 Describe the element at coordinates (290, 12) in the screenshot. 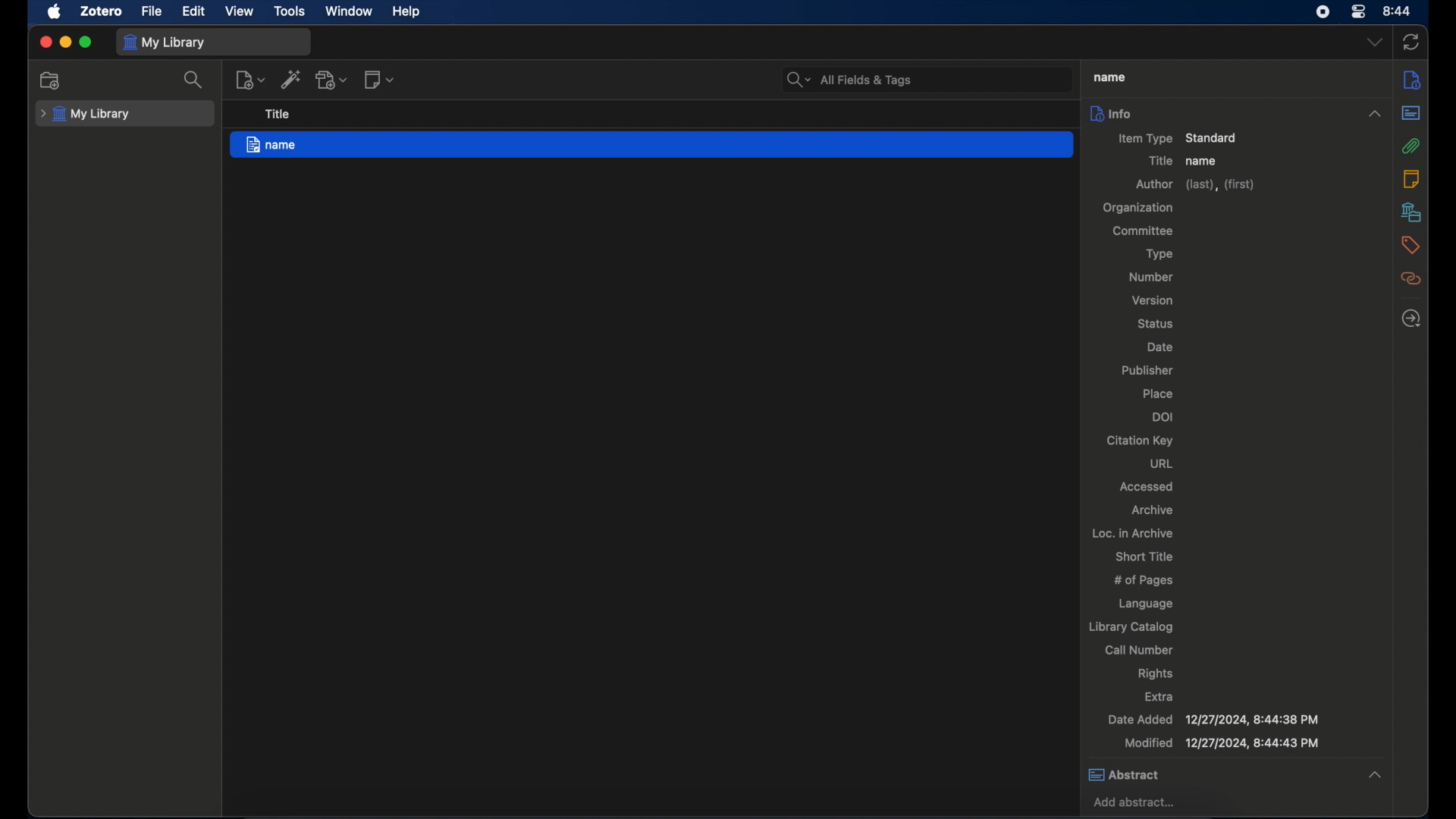

I see `tools` at that location.